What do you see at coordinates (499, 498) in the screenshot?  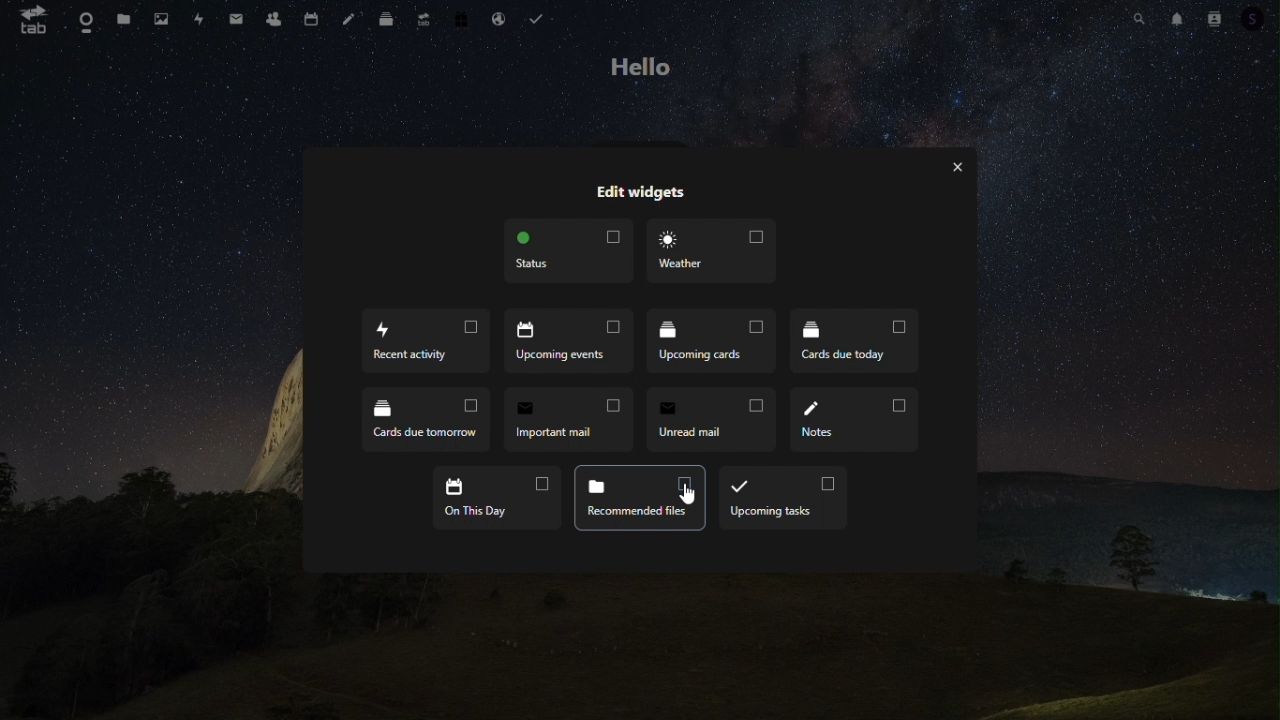 I see `on this day` at bounding box center [499, 498].